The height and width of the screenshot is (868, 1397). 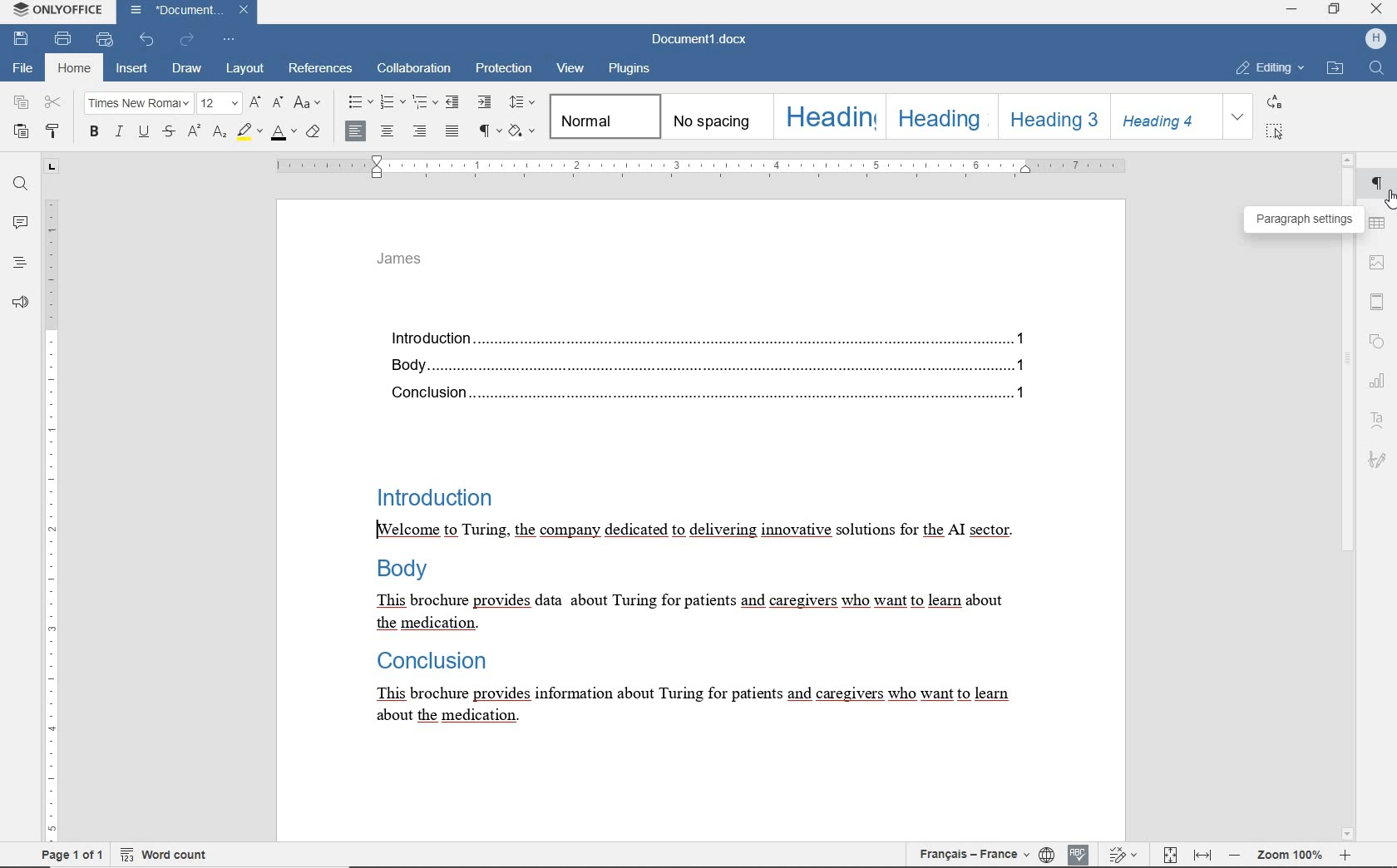 What do you see at coordinates (427, 102) in the screenshot?
I see `multilevel list` at bounding box center [427, 102].